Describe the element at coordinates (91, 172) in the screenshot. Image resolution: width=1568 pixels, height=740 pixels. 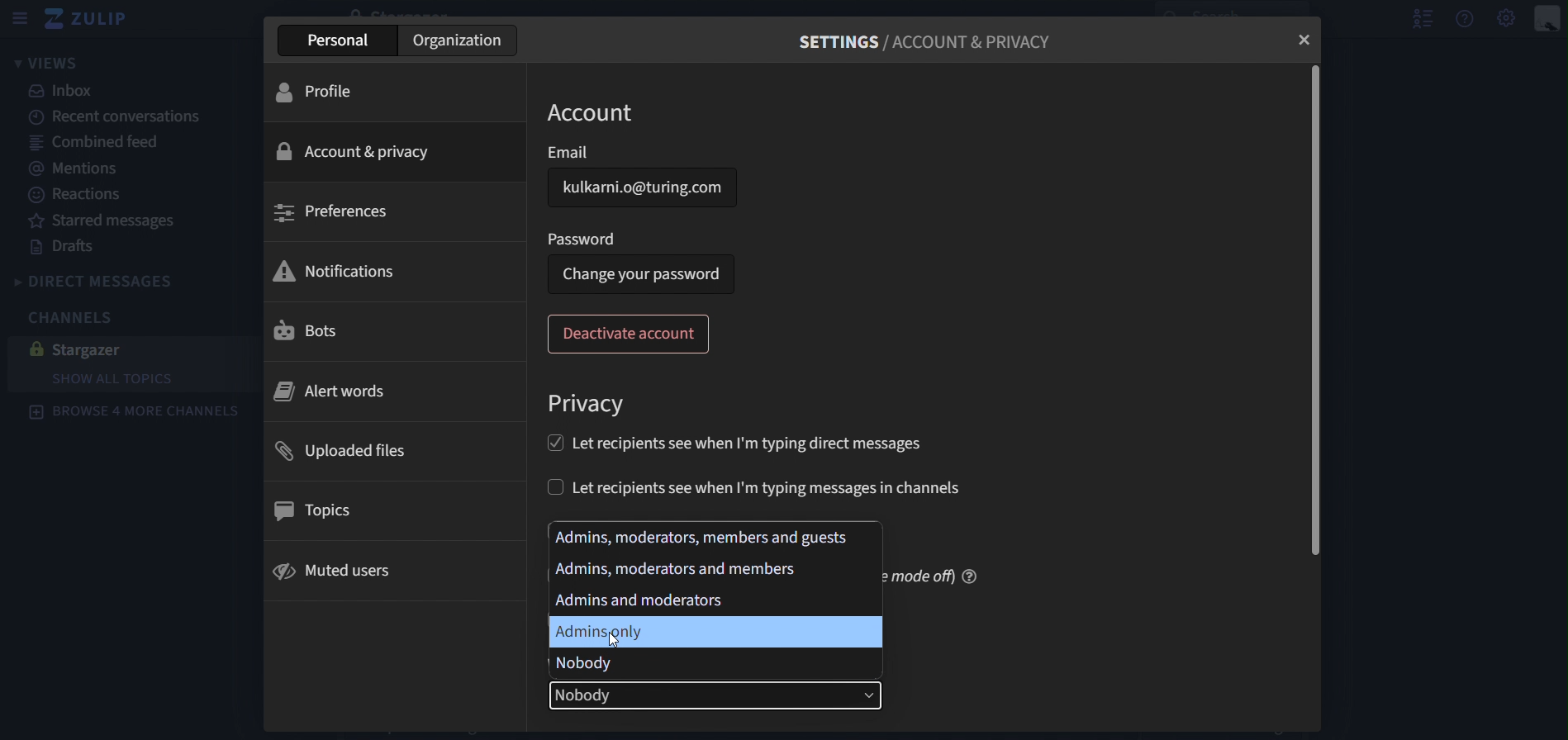
I see `mentions` at that location.